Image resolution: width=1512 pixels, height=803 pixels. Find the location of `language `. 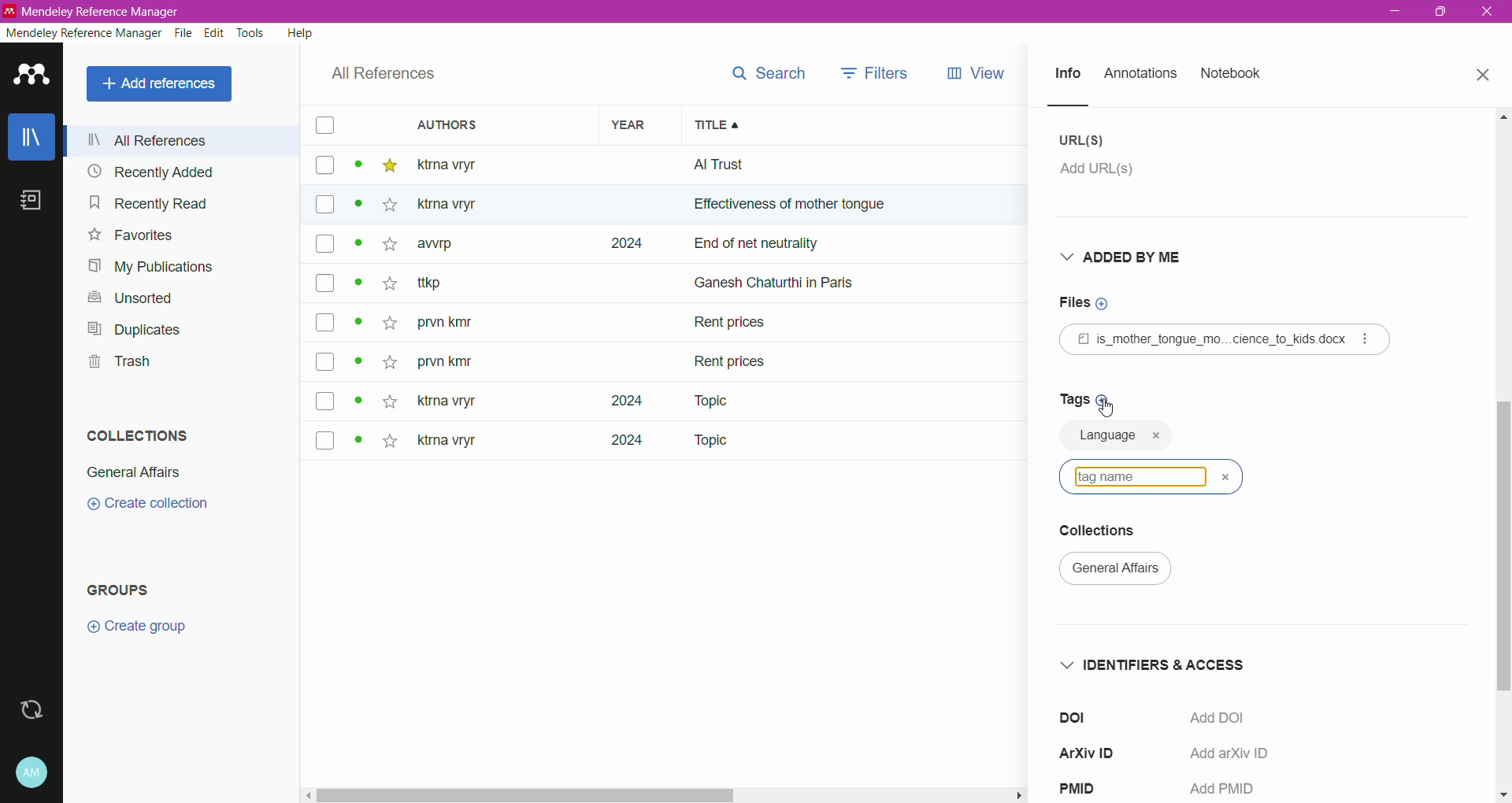

language  is located at coordinates (1104, 441).